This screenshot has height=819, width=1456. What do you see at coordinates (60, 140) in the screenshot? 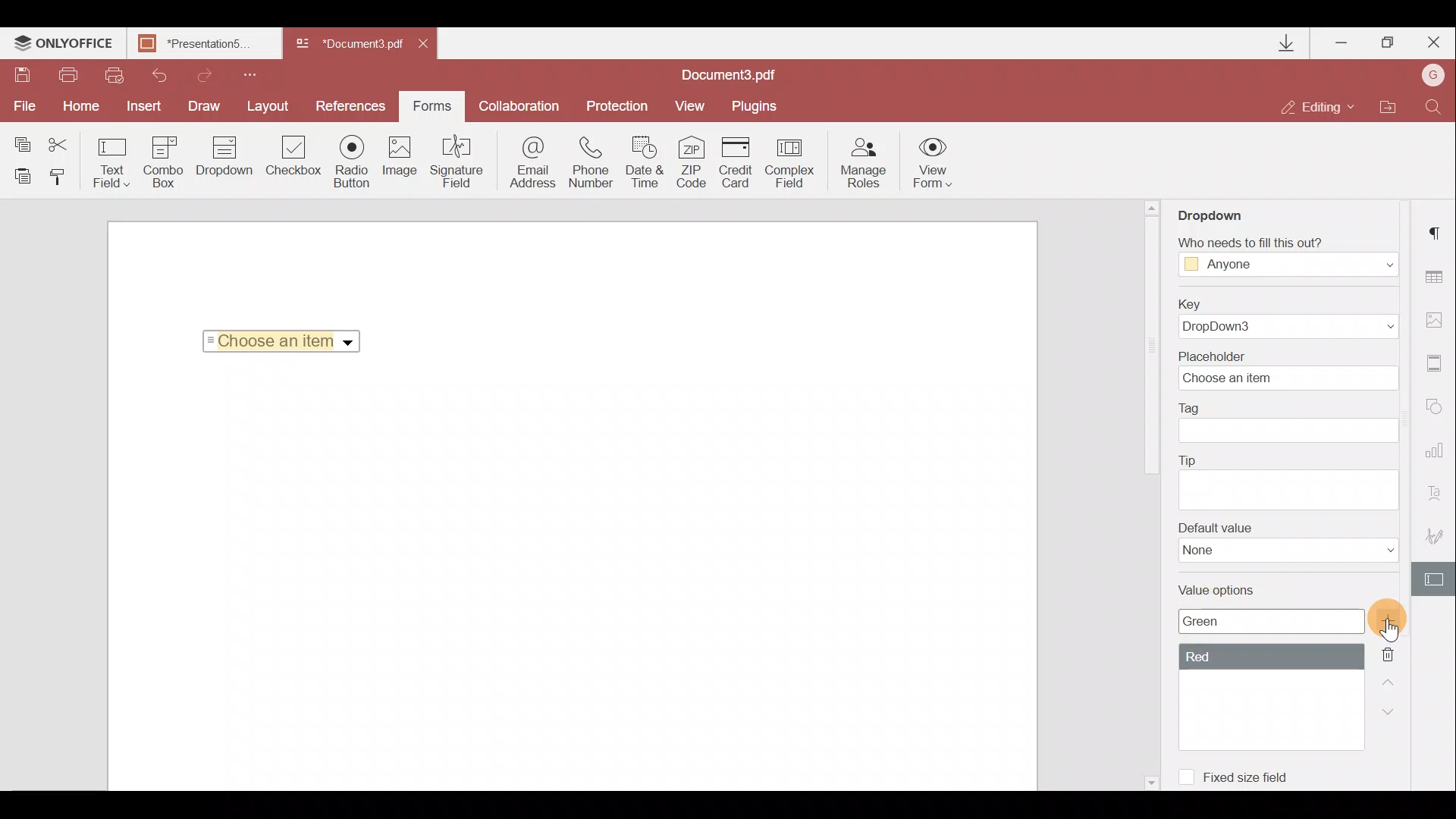
I see `Cut` at bounding box center [60, 140].